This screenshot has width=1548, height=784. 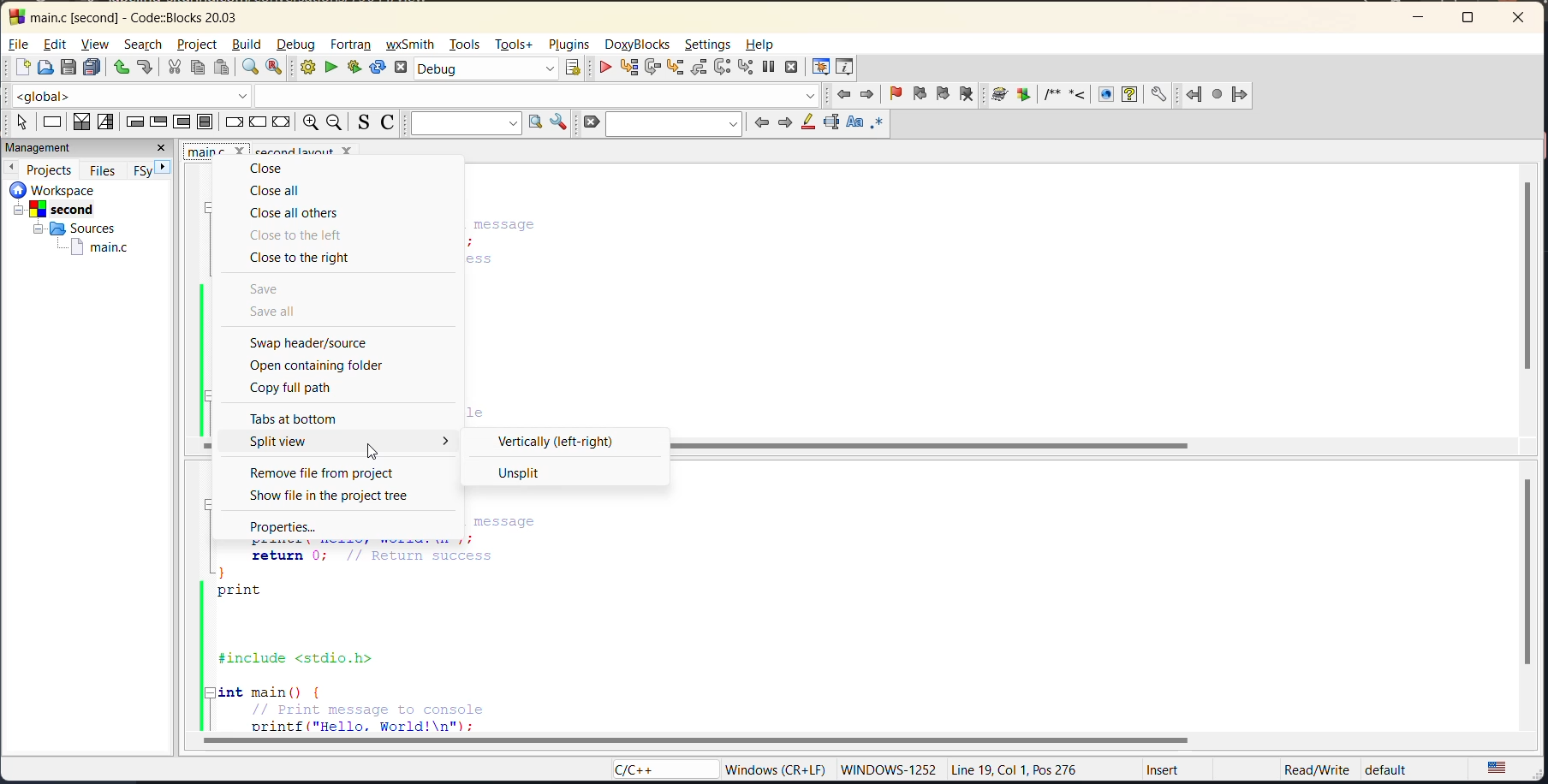 I want to click on fortran references, so click(x=1218, y=96).